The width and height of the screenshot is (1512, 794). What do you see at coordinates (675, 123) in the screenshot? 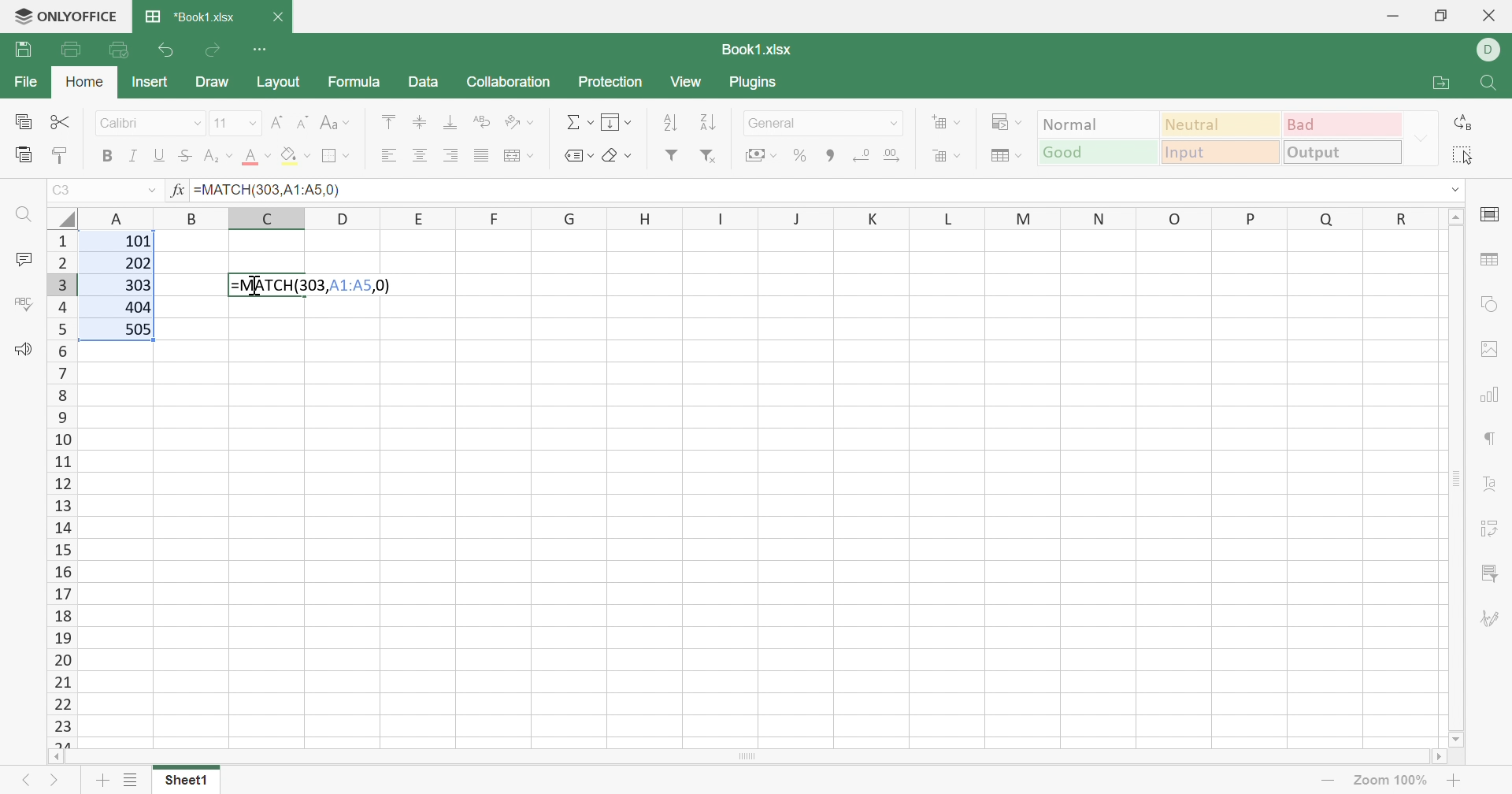
I see `Ascending order` at bounding box center [675, 123].